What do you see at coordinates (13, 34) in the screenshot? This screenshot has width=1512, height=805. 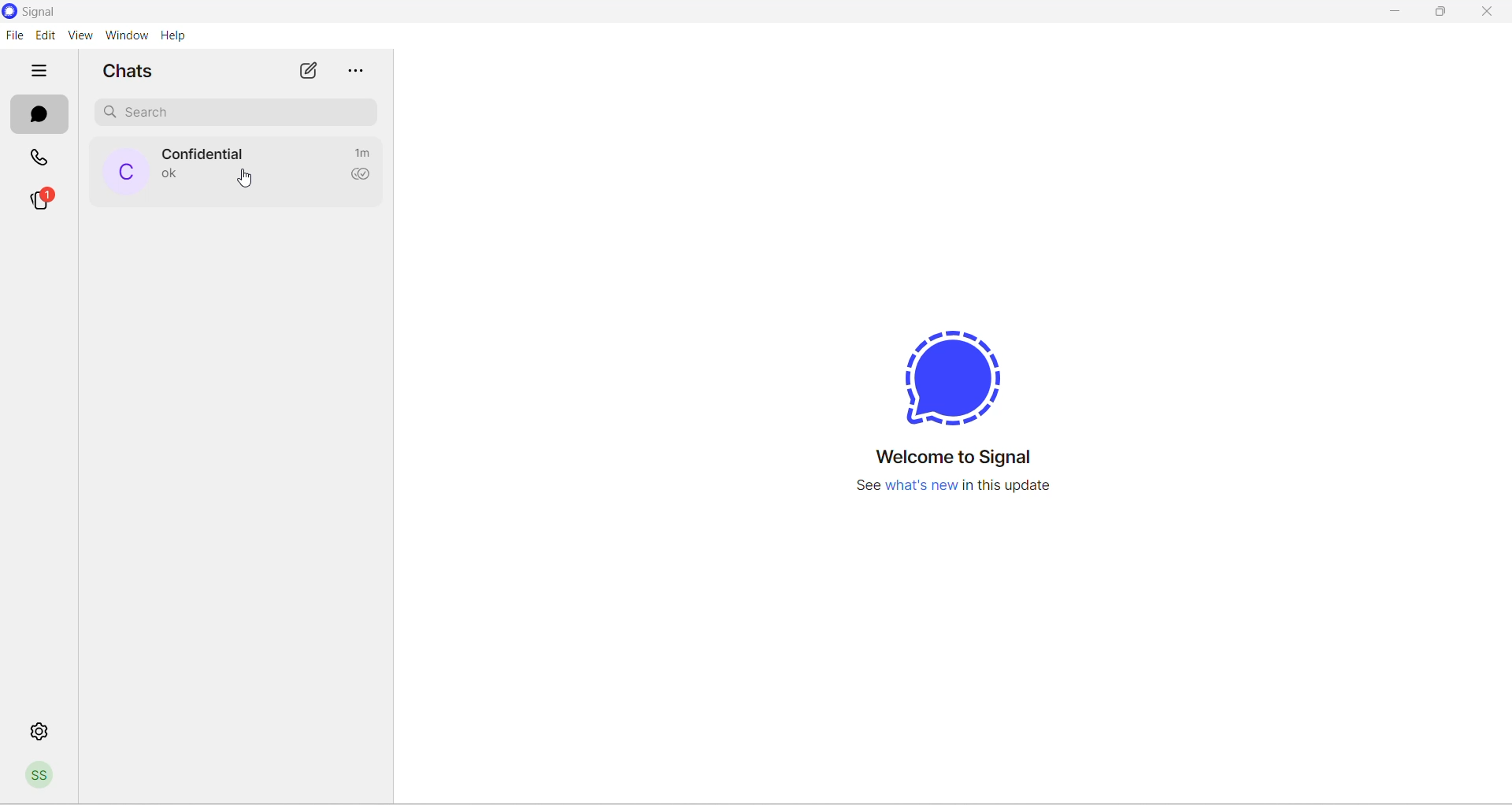 I see `file` at bounding box center [13, 34].